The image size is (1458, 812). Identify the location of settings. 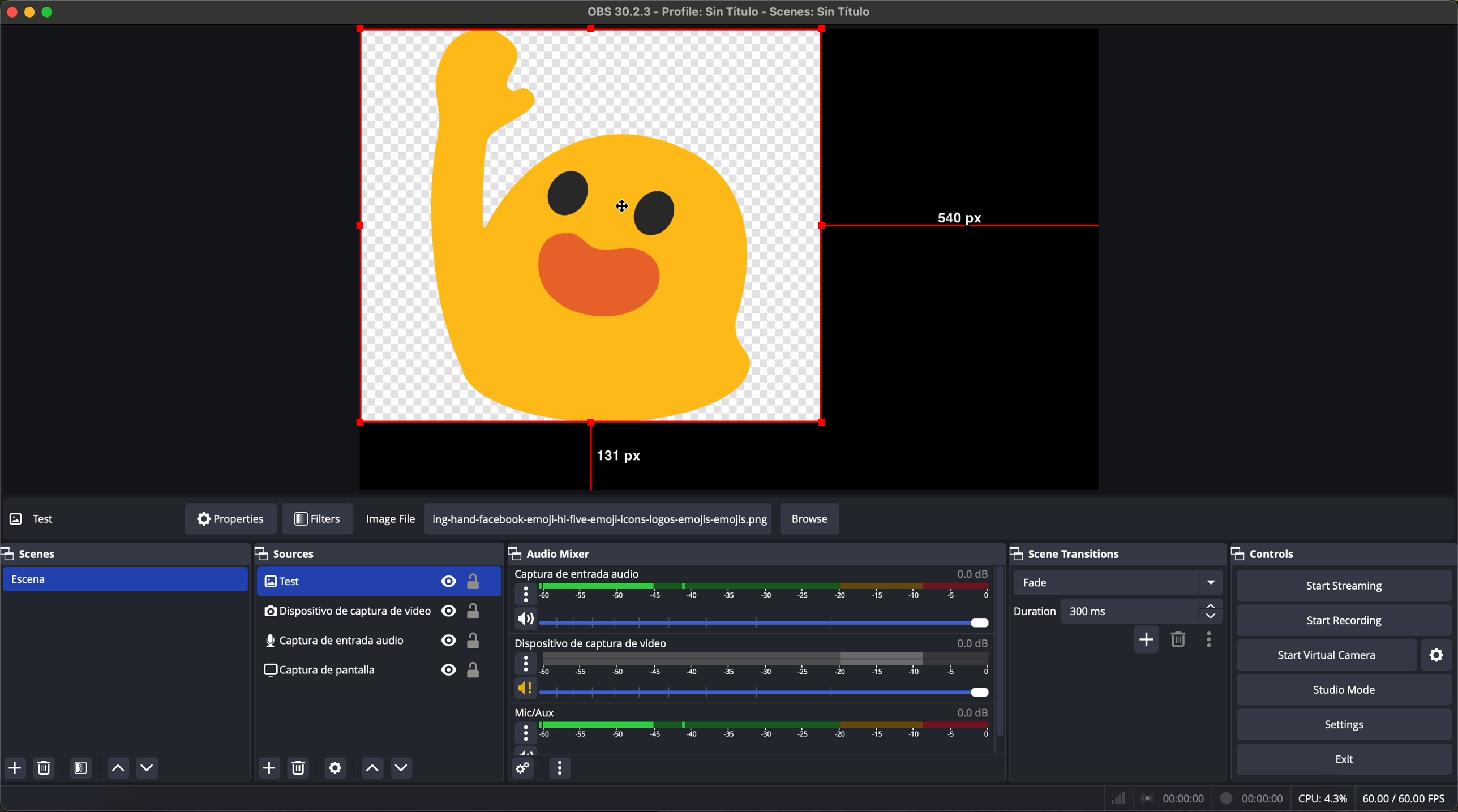
(1348, 725).